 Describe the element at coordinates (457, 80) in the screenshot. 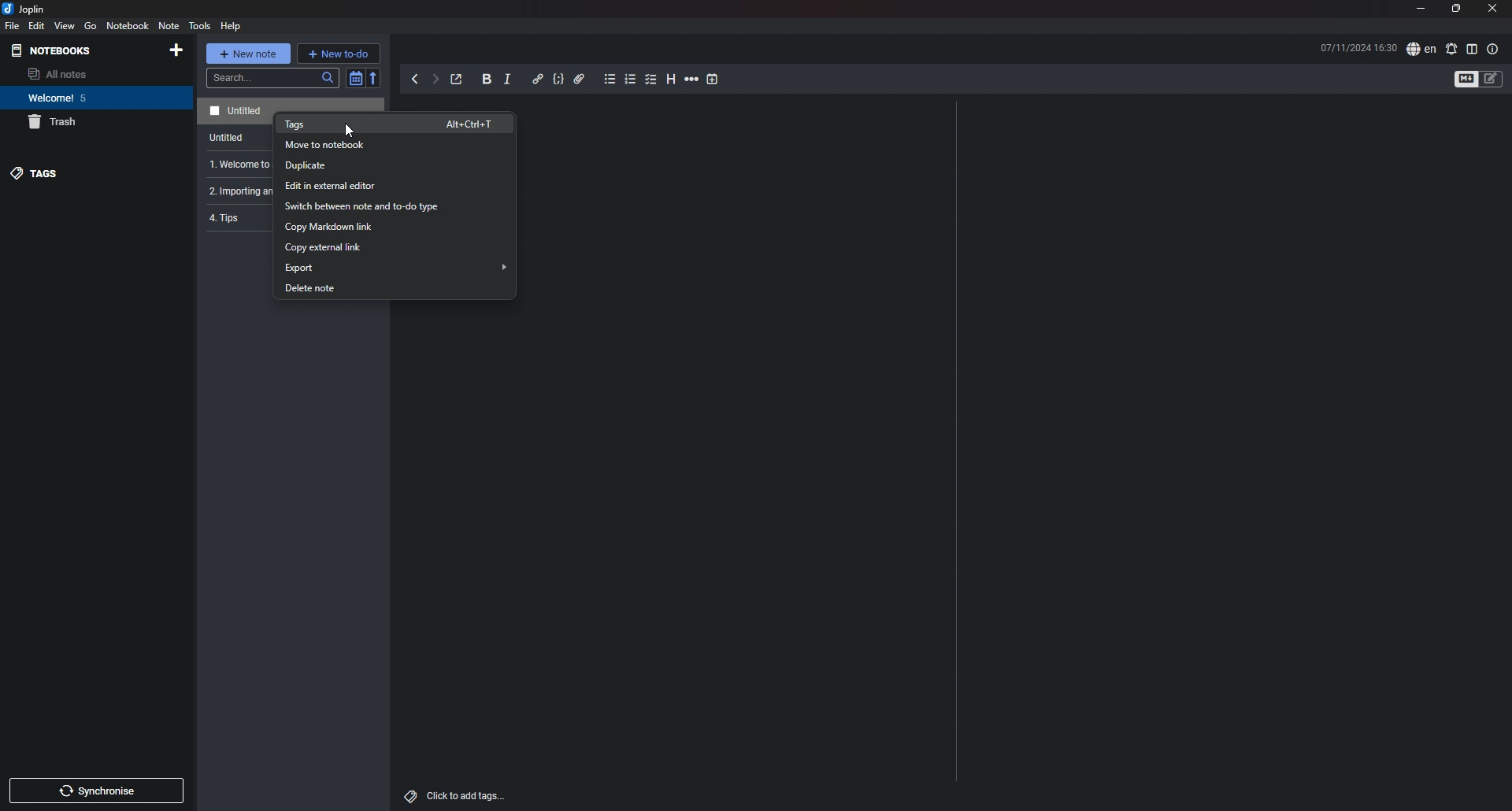

I see `toggle external editing` at that location.